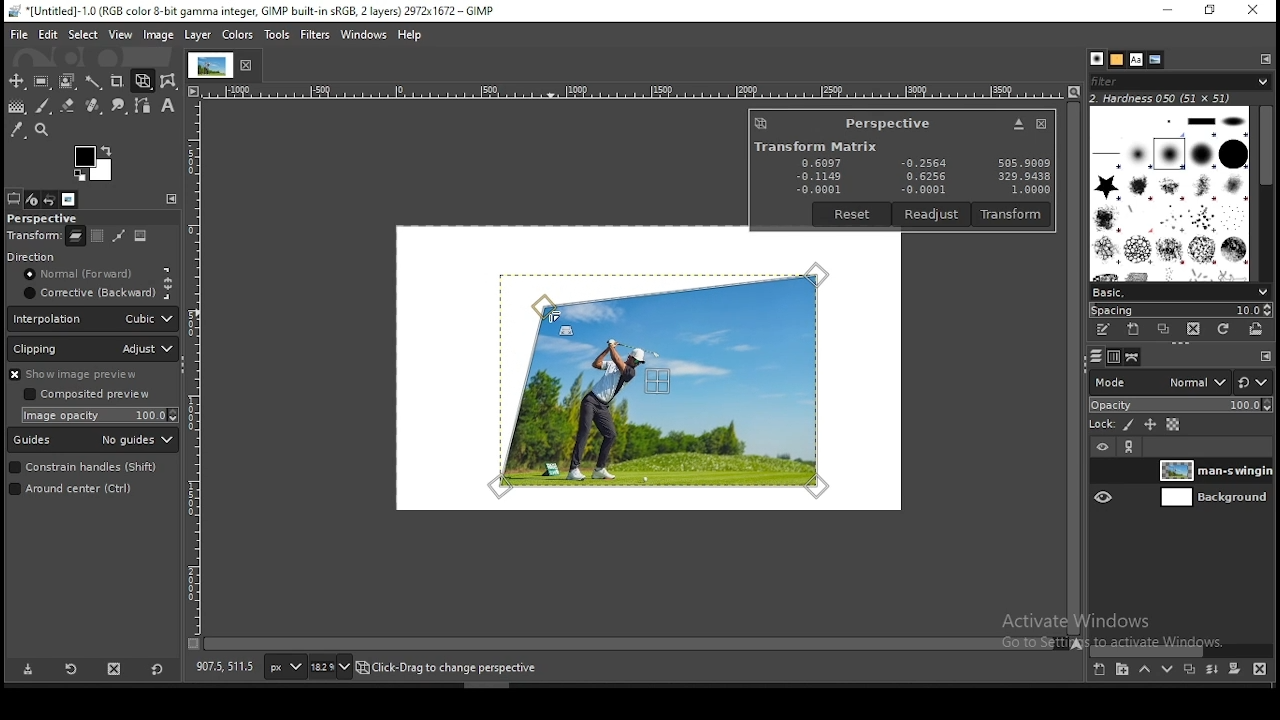  What do you see at coordinates (1116, 59) in the screenshot?
I see `patterns` at bounding box center [1116, 59].